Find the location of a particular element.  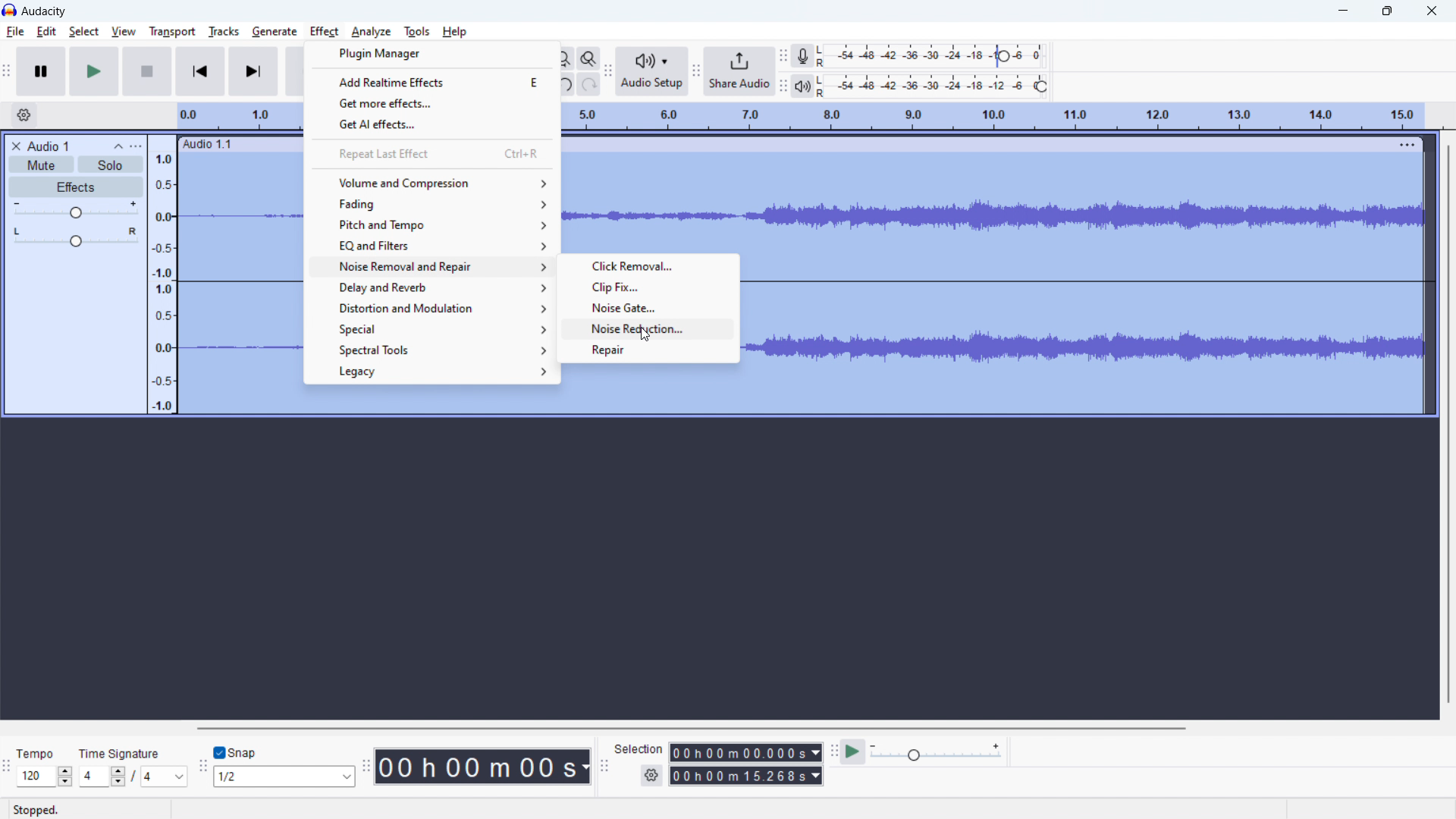

skip to end is located at coordinates (253, 71).